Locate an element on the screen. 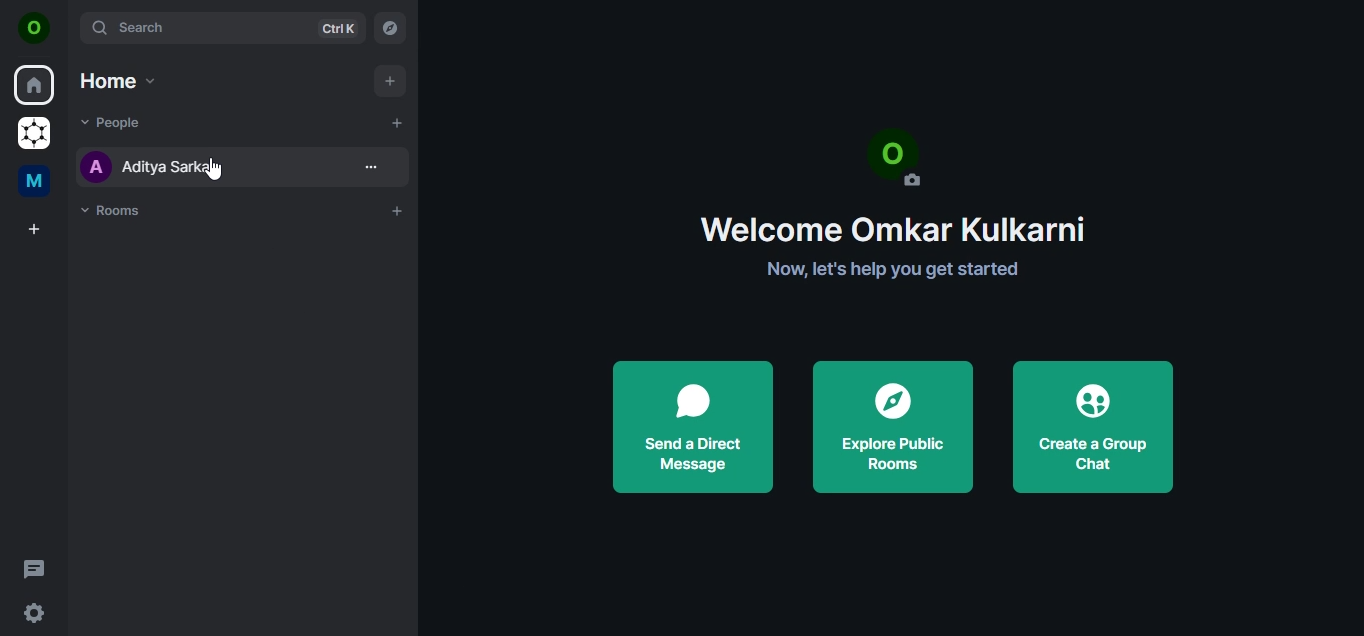 This screenshot has height=636, width=1364. quick settings is located at coordinates (34, 613).